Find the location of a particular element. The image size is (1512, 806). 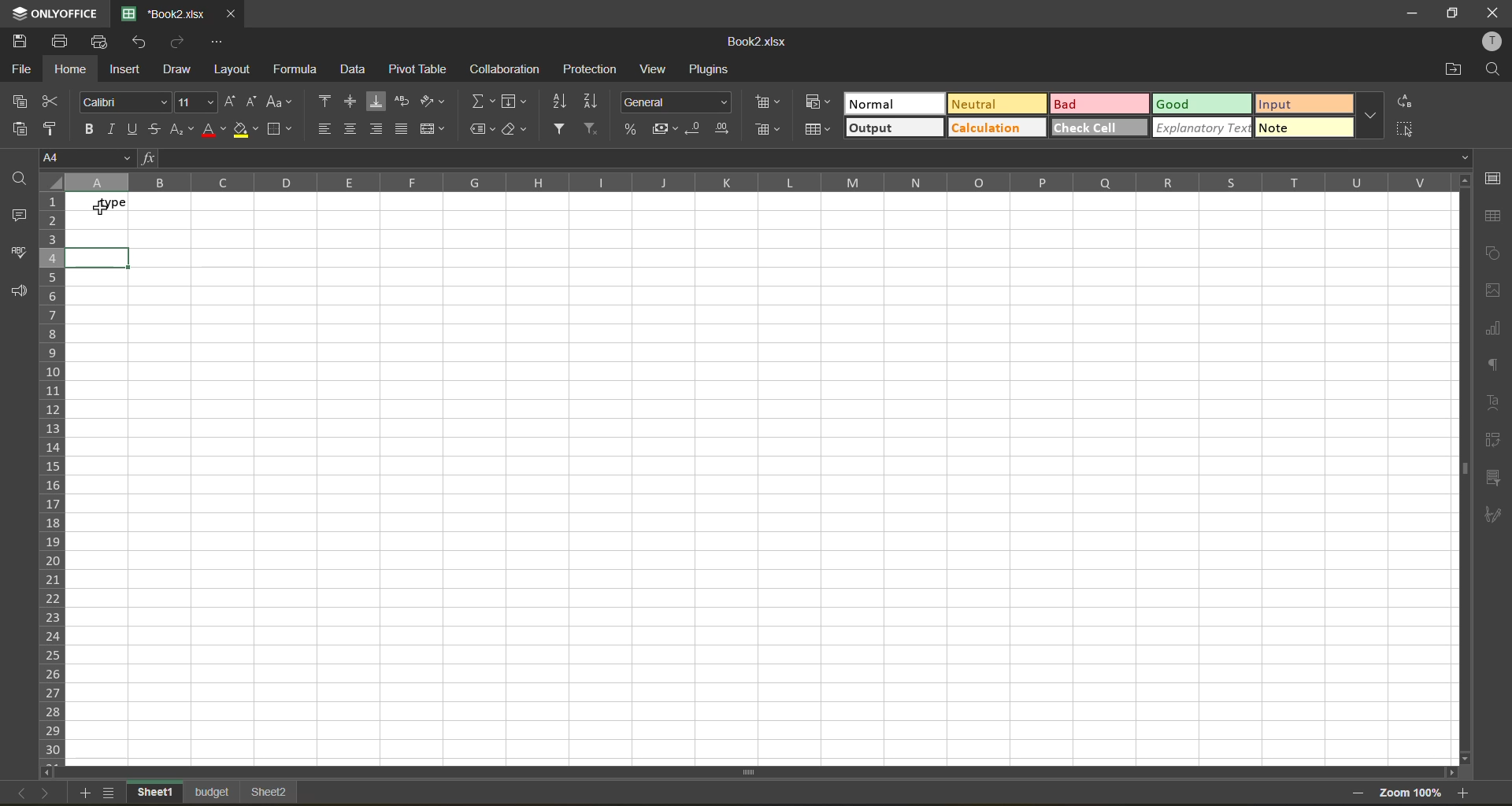

collaboration is located at coordinates (506, 68).